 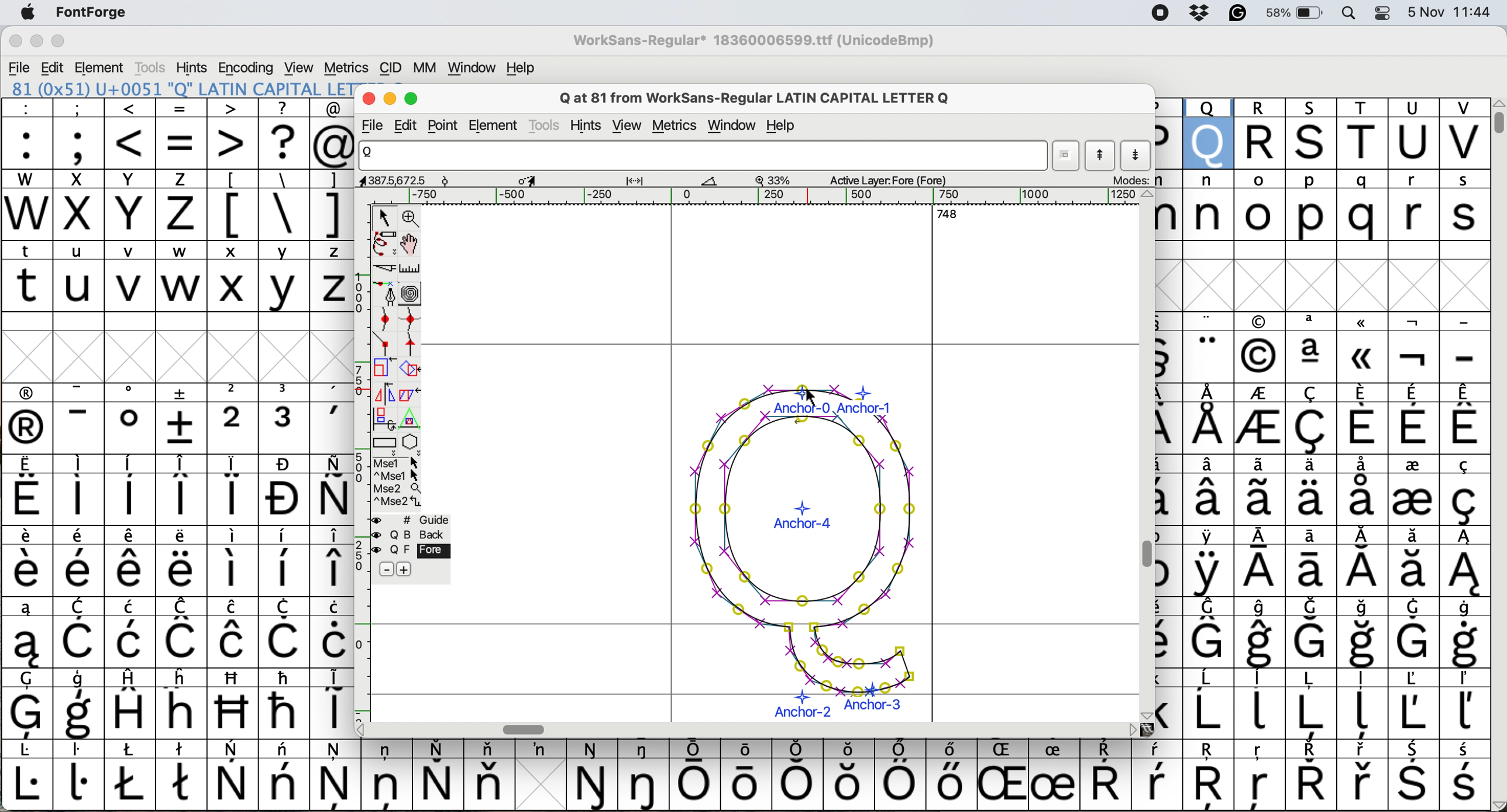 I want to click on draw freehand scale, so click(x=386, y=245).